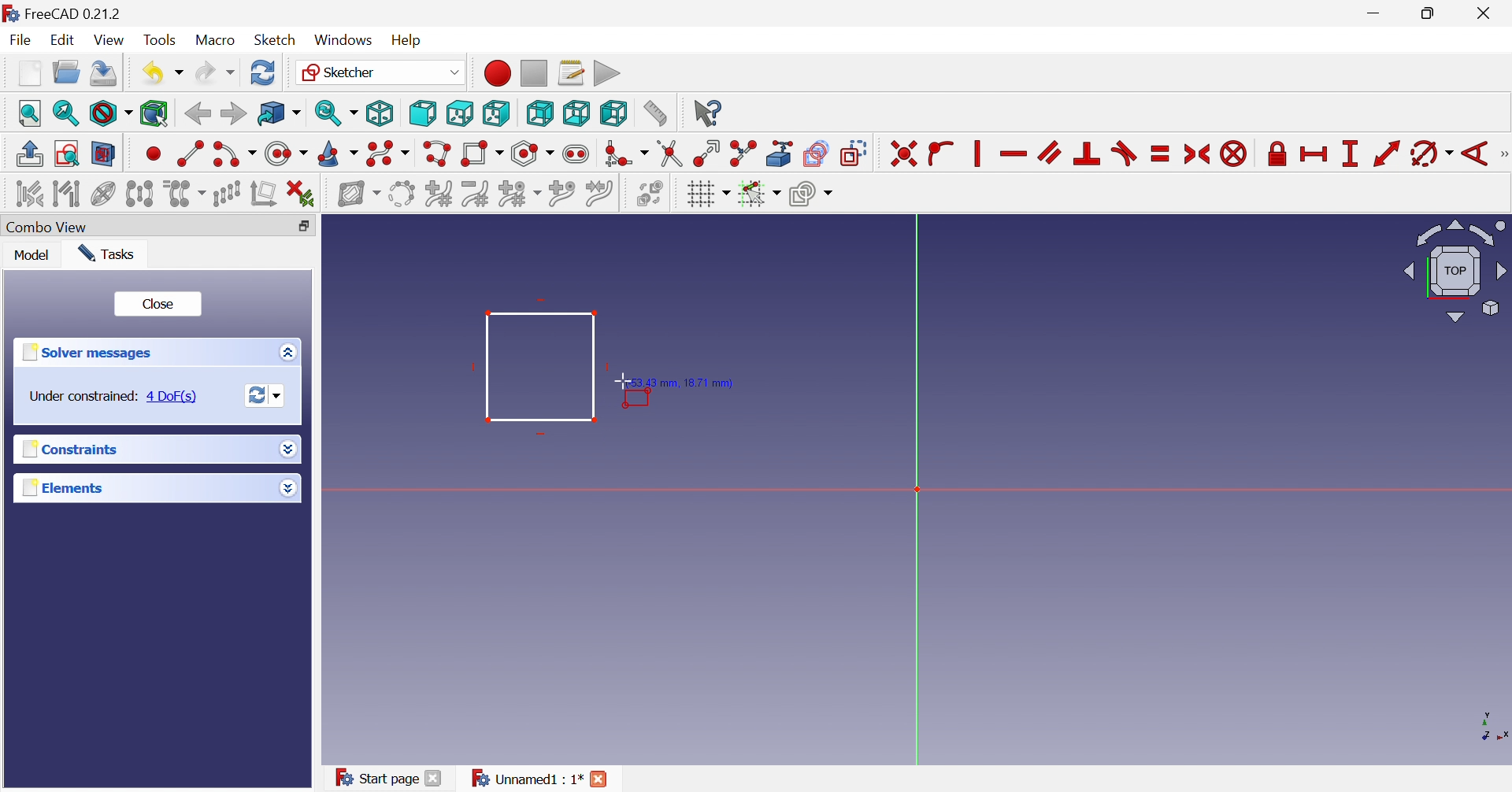 The height and width of the screenshot is (792, 1512). Describe the element at coordinates (32, 257) in the screenshot. I see `Model` at that location.